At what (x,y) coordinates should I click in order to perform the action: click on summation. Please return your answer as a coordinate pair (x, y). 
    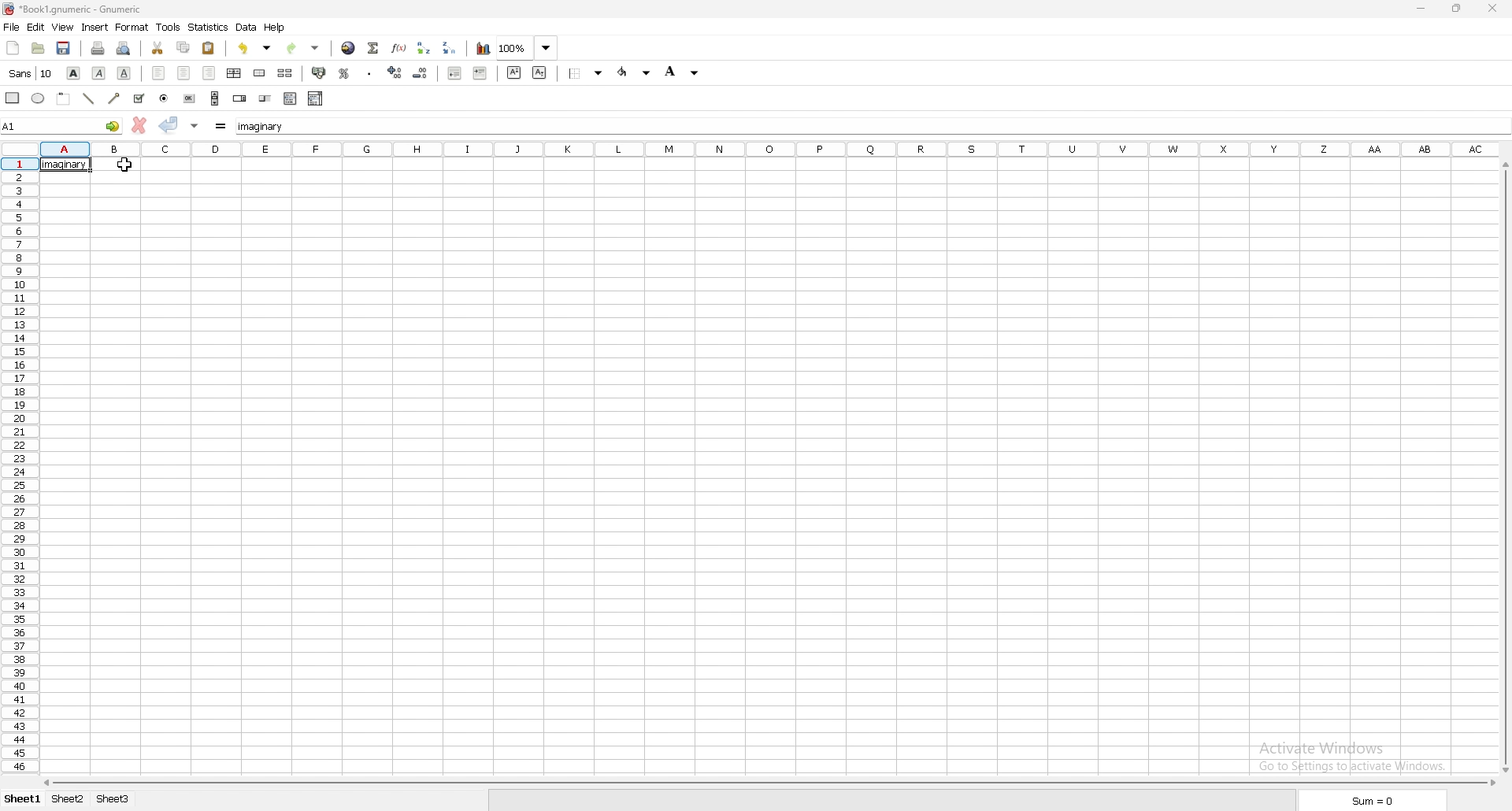
    Looking at the image, I should click on (372, 48).